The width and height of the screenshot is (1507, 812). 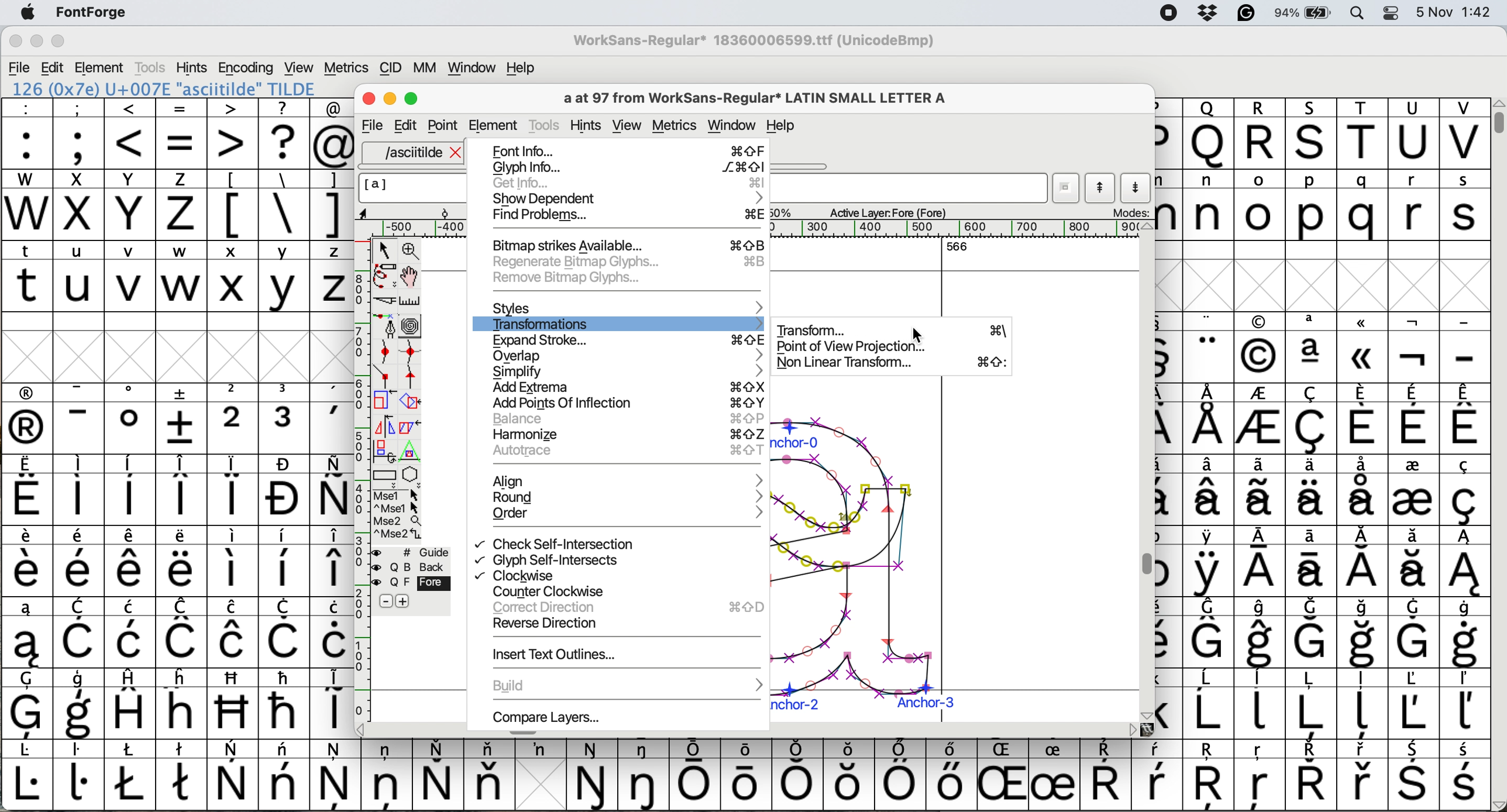 What do you see at coordinates (918, 336) in the screenshot?
I see `cursor` at bounding box center [918, 336].